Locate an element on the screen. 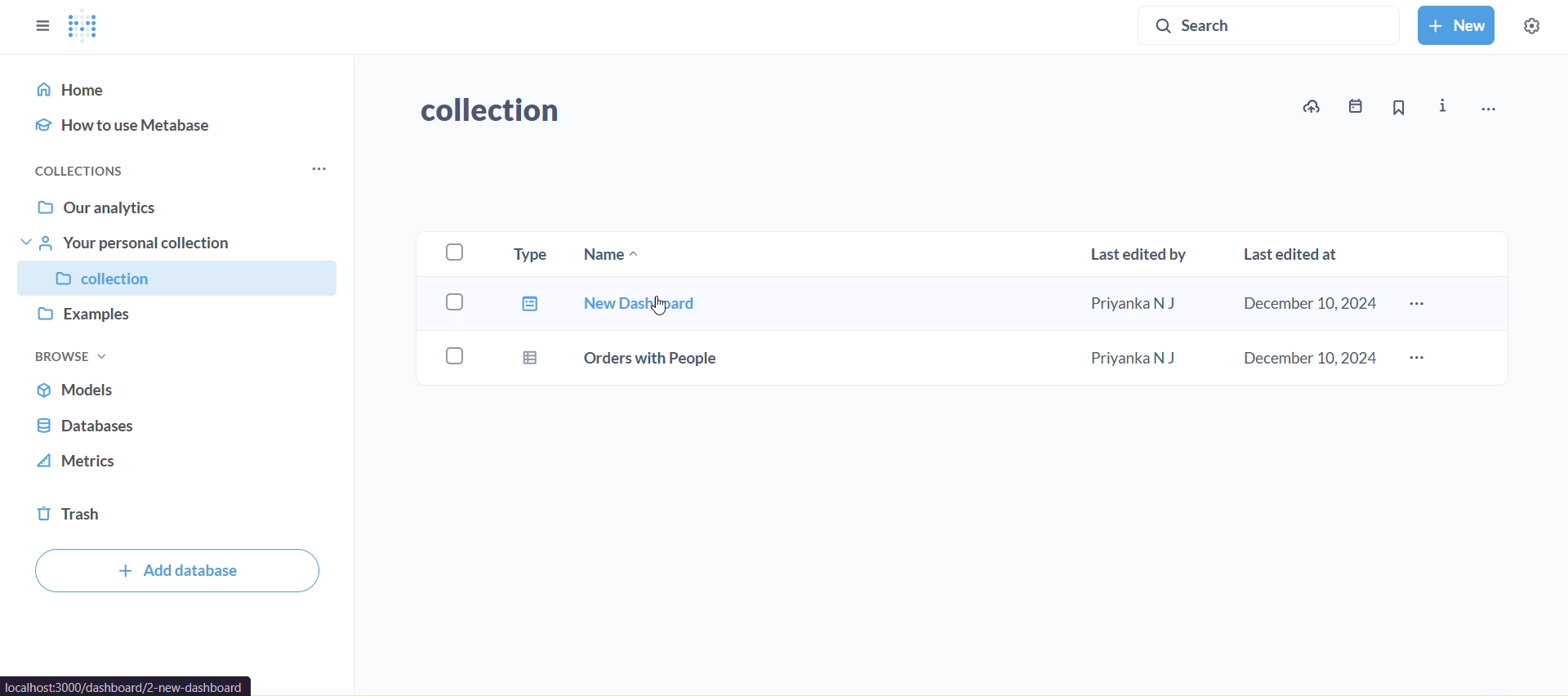 The height and width of the screenshot is (696, 1568). how to use metabase is located at coordinates (178, 123).